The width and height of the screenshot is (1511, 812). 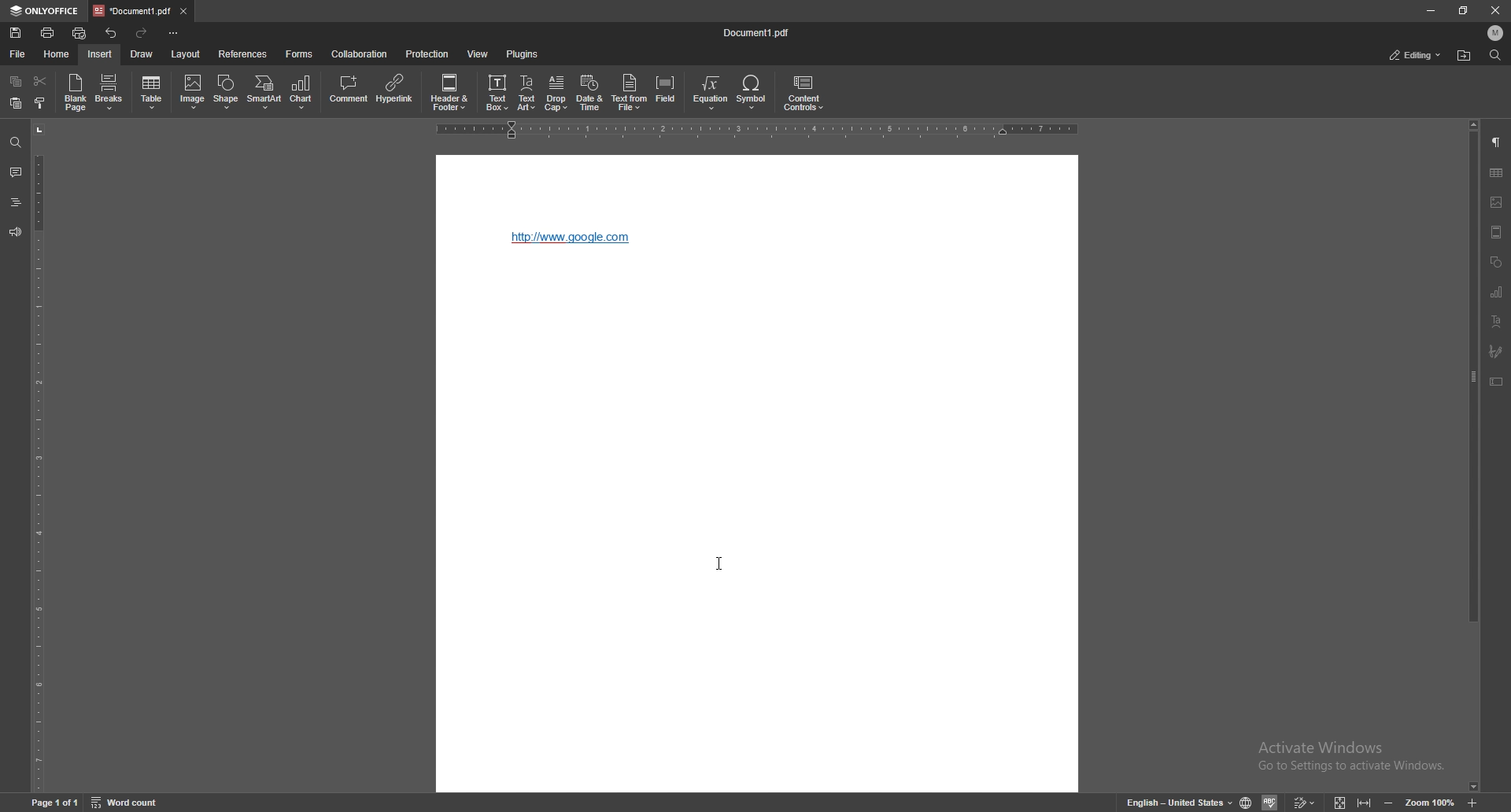 I want to click on references, so click(x=243, y=54).